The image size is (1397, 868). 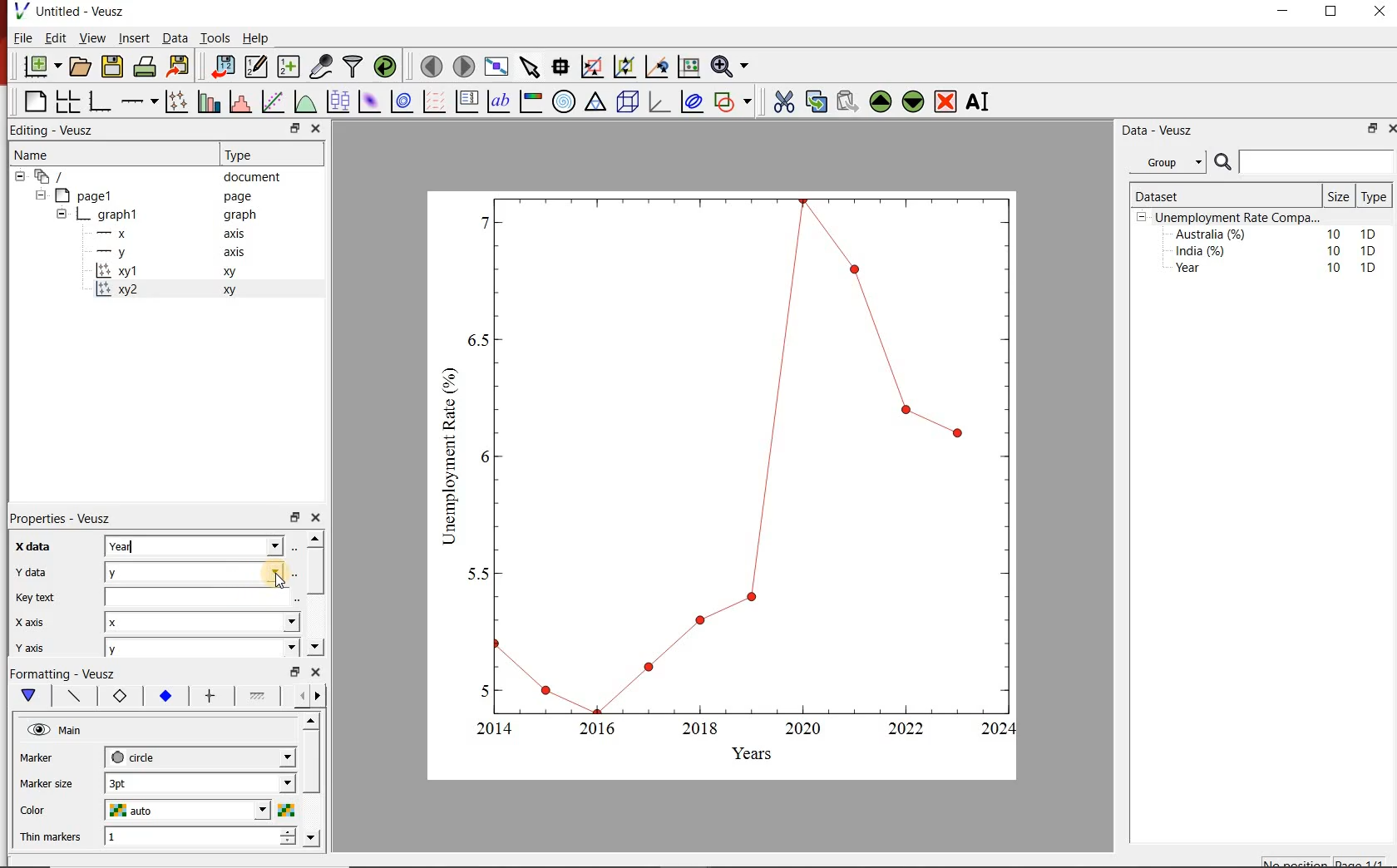 I want to click on open document, so click(x=81, y=67).